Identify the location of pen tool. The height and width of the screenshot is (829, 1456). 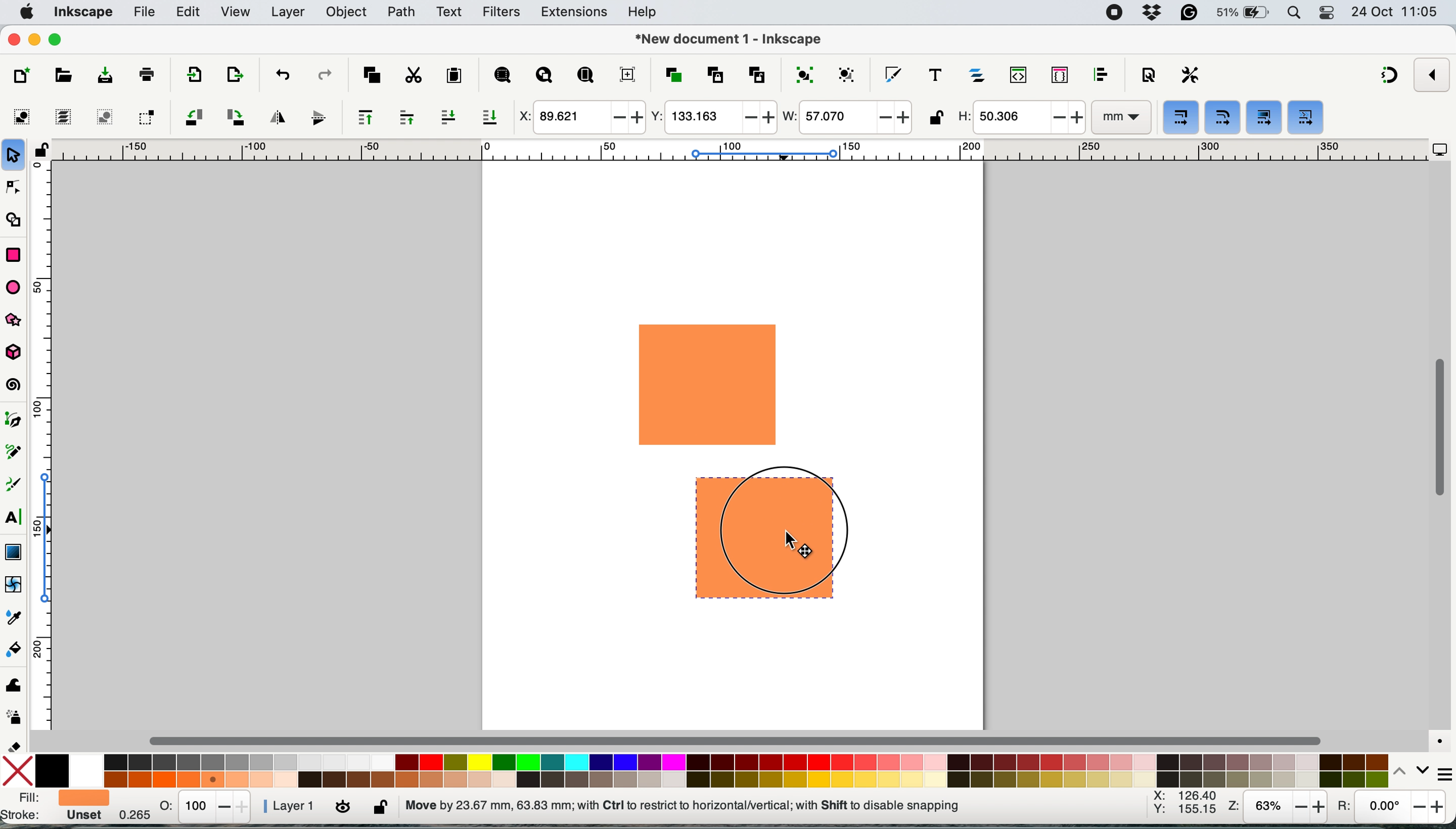
(16, 420).